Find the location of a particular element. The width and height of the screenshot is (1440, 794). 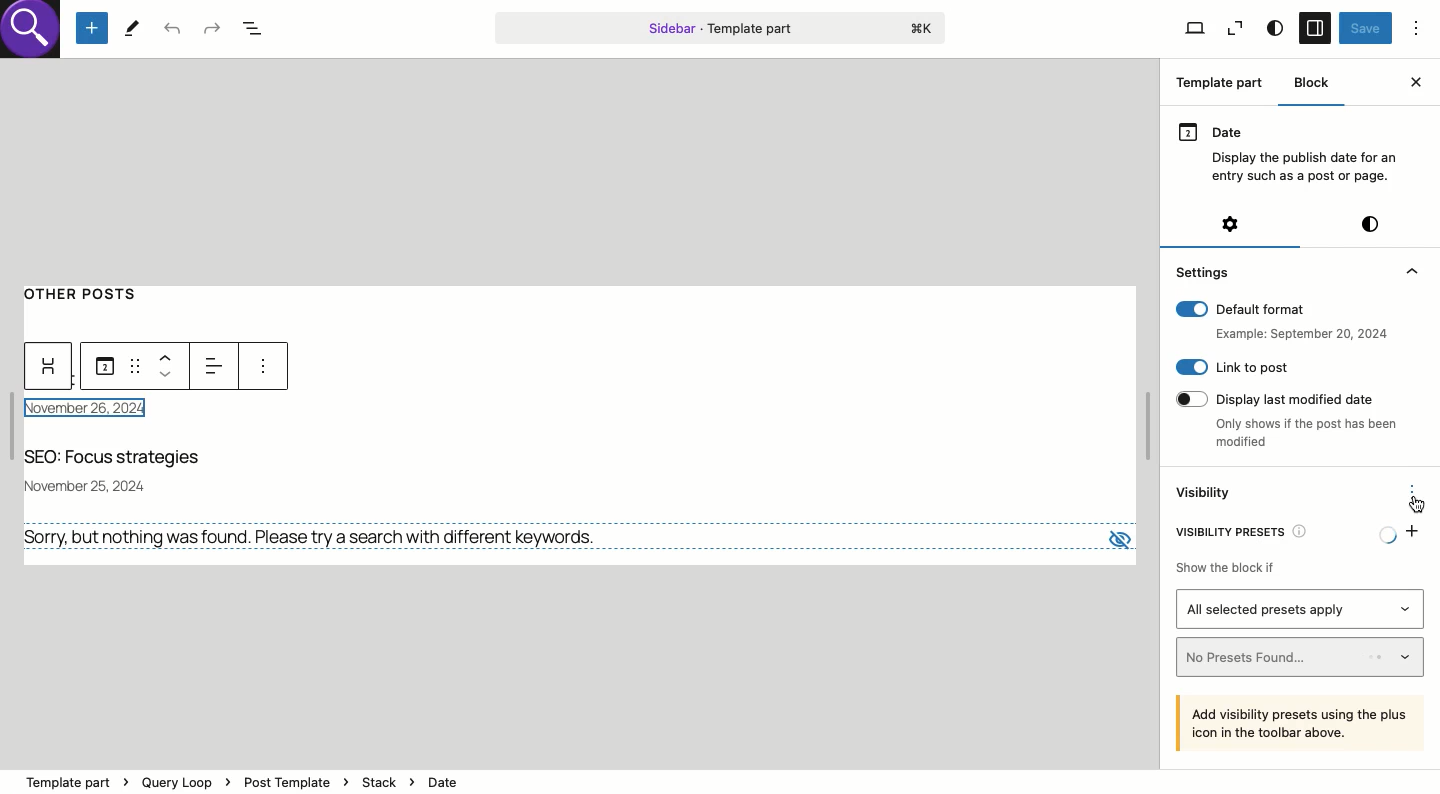

View is located at coordinates (1235, 29).